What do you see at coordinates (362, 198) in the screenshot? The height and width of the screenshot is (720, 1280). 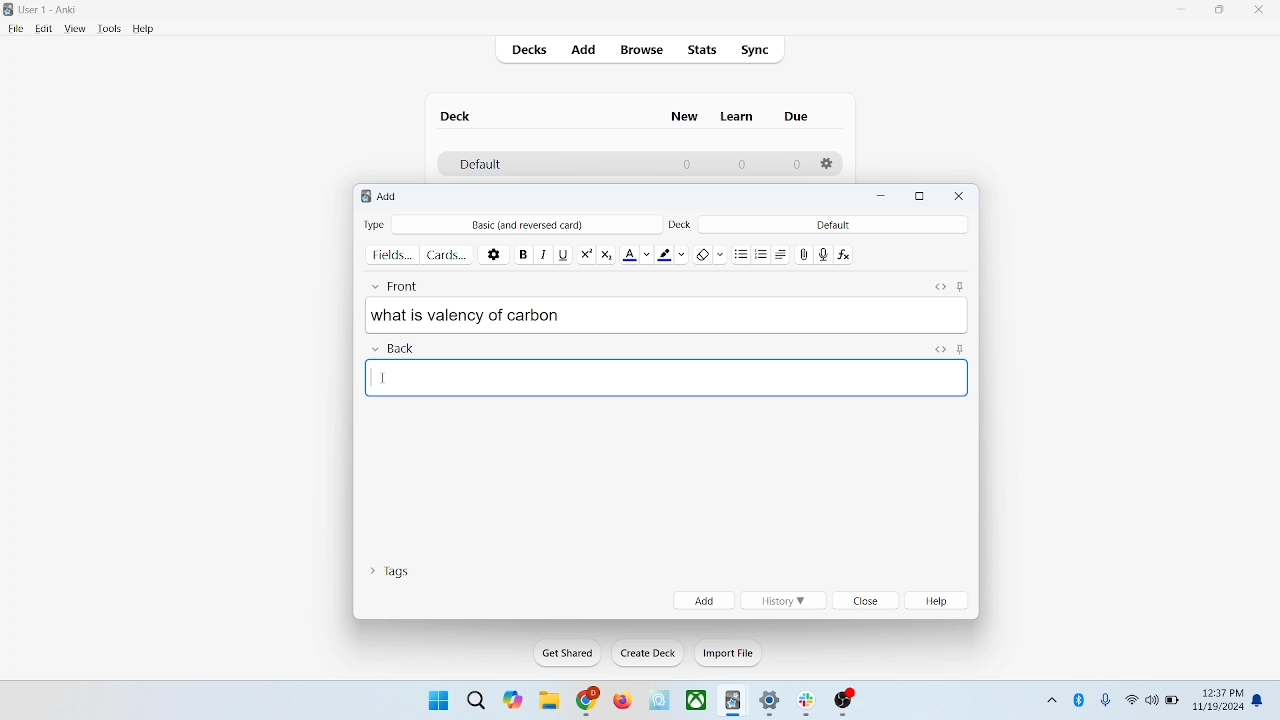 I see `logo` at bounding box center [362, 198].